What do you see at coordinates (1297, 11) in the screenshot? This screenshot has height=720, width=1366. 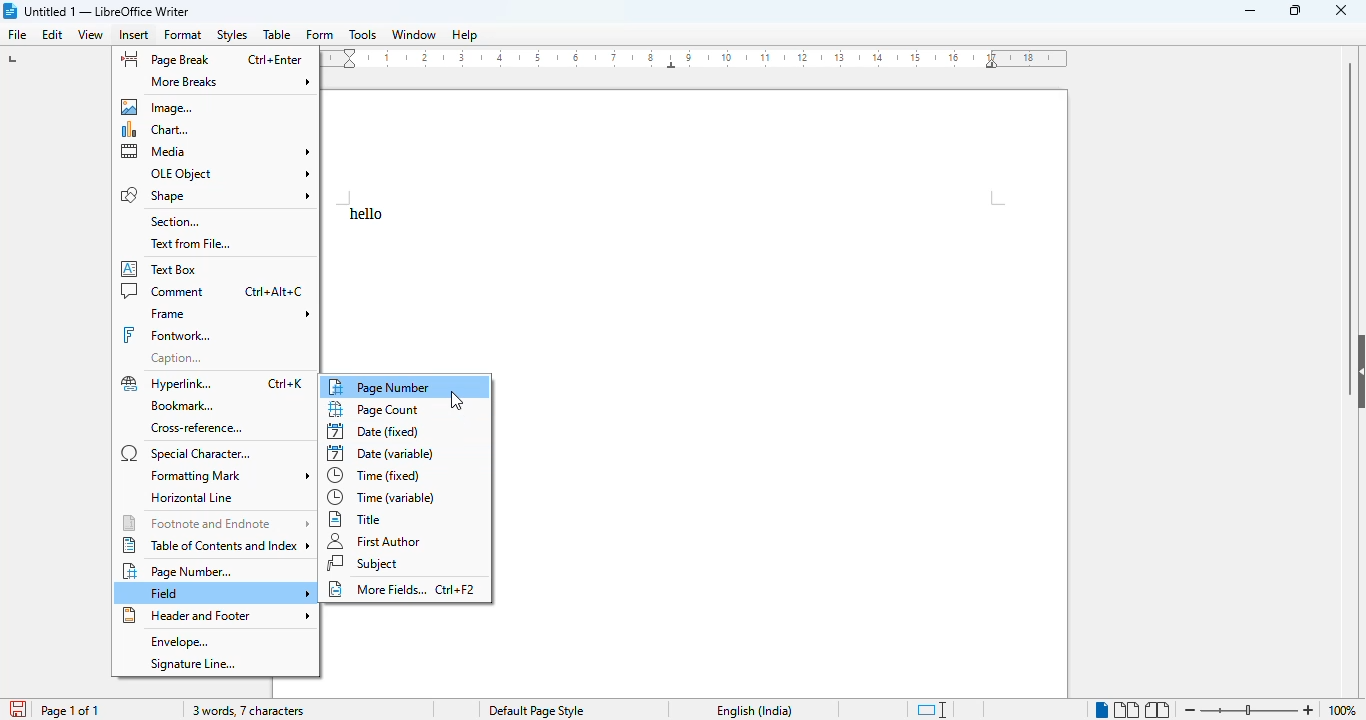 I see `maximize` at bounding box center [1297, 11].